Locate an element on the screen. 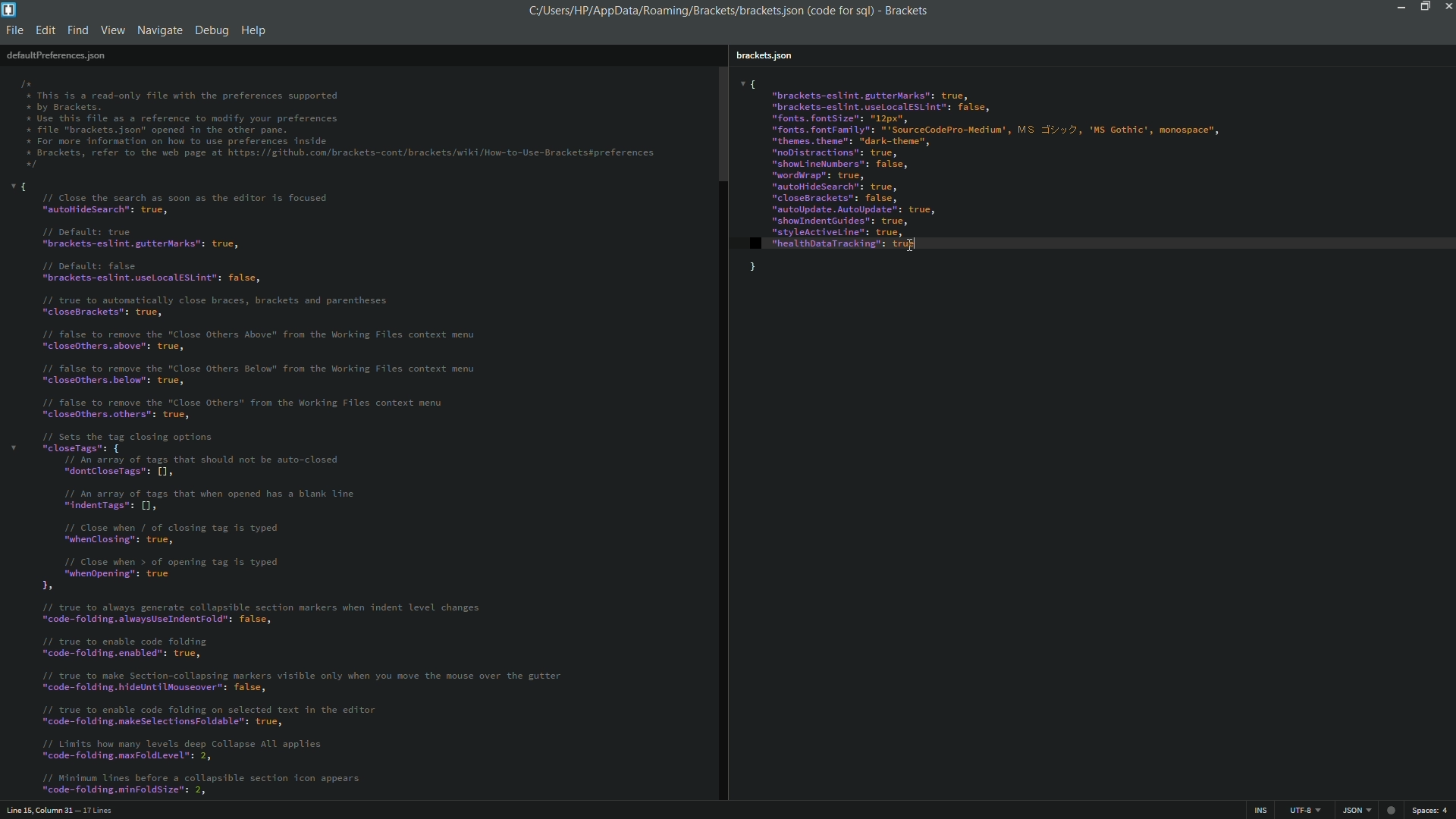 The image size is (1456, 819). Setting options is located at coordinates (303, 487).